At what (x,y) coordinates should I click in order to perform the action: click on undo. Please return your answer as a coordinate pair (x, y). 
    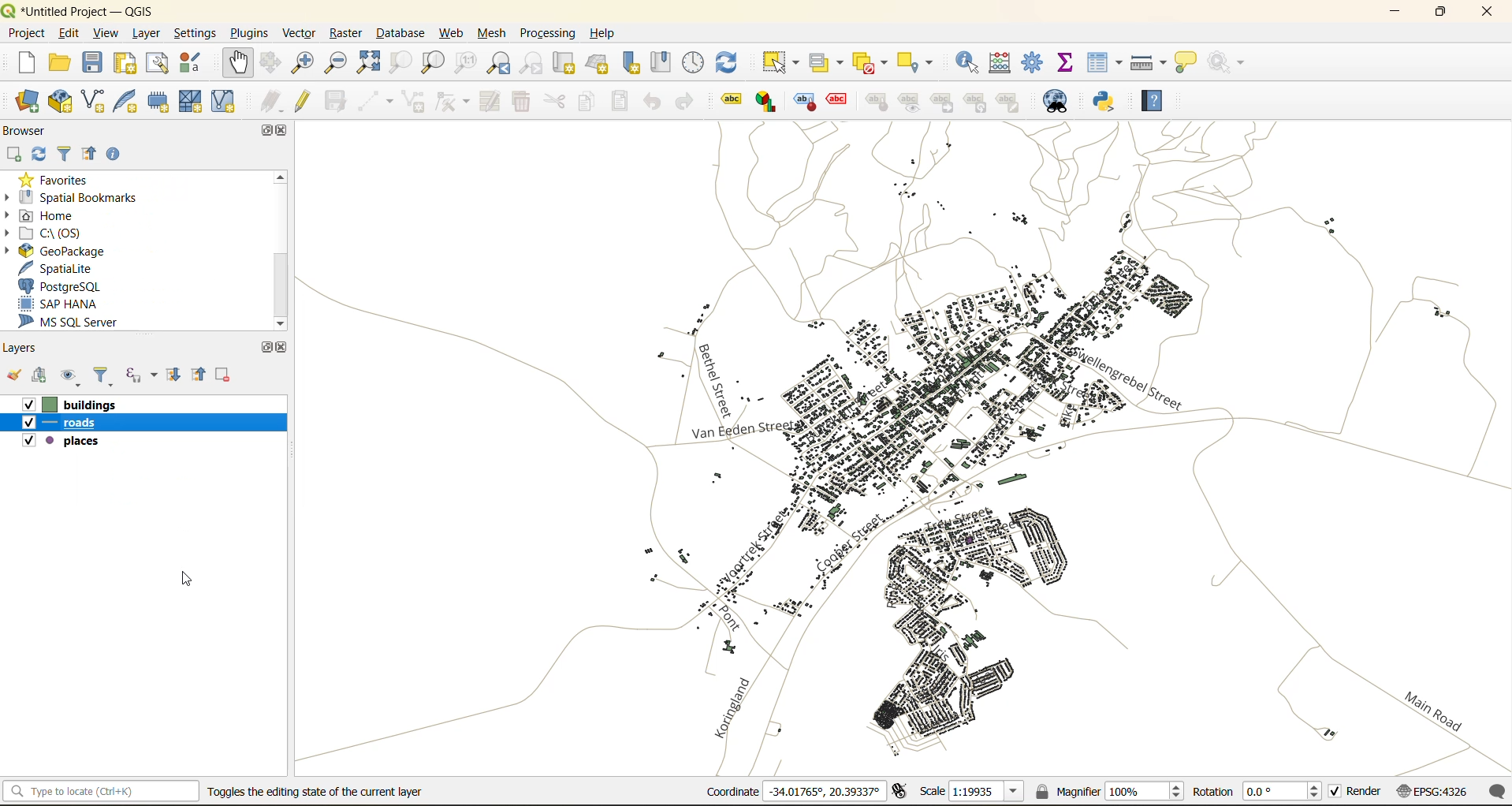
    Looking at the image, I should click on (655, 102).